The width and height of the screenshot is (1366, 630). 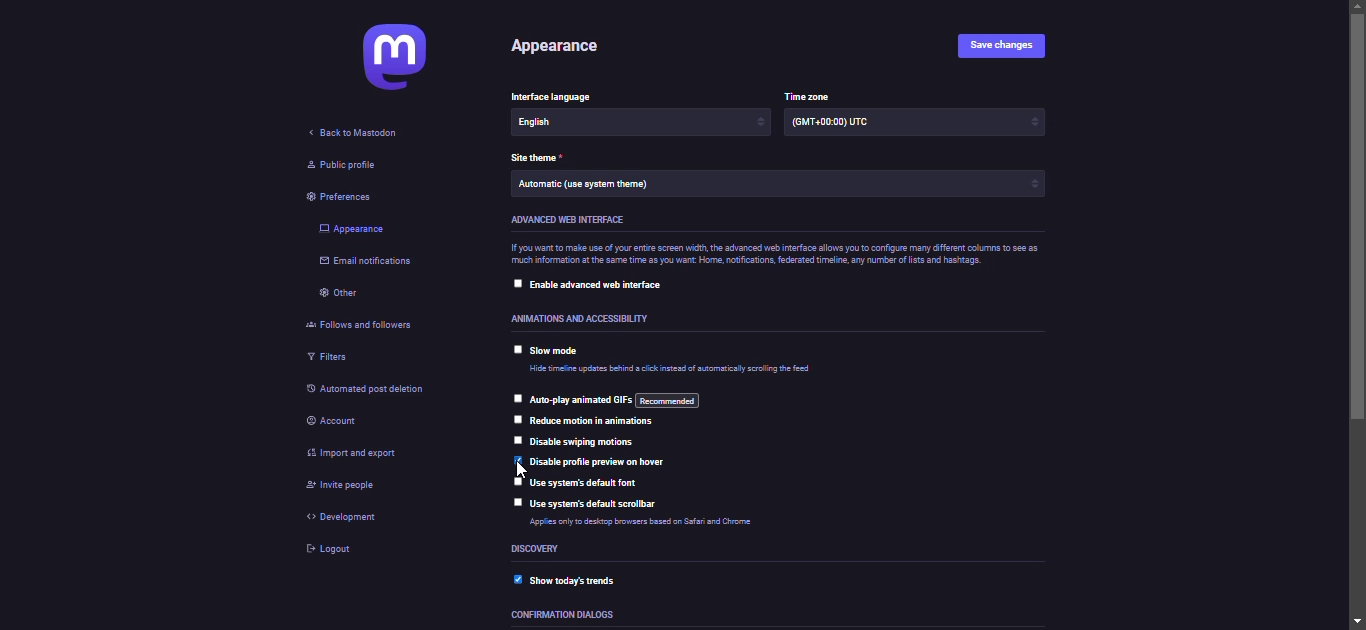 What do you see at coordinates (564, 219) in the screenshot?
I see `advanced web interface` at bounding box center [564, 219].